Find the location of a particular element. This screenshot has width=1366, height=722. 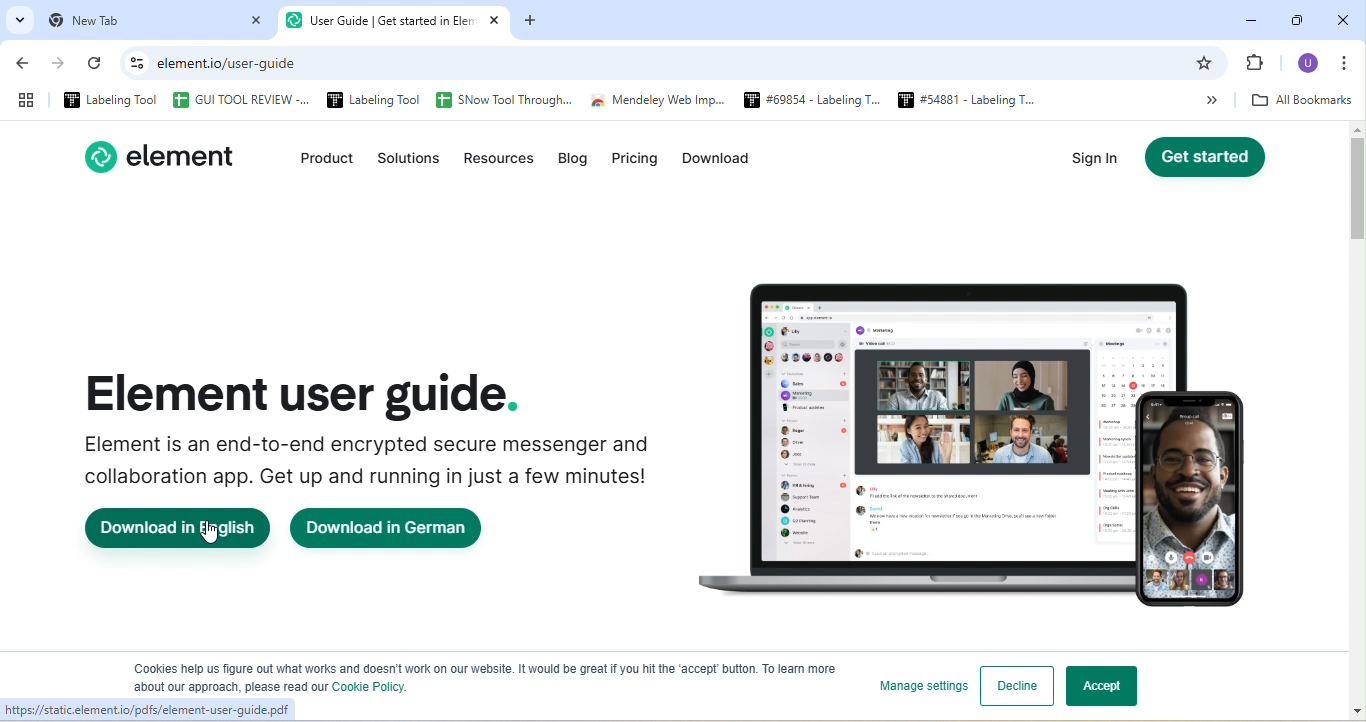

 #69654 - Labeling T is located at coordinates (807, 101).